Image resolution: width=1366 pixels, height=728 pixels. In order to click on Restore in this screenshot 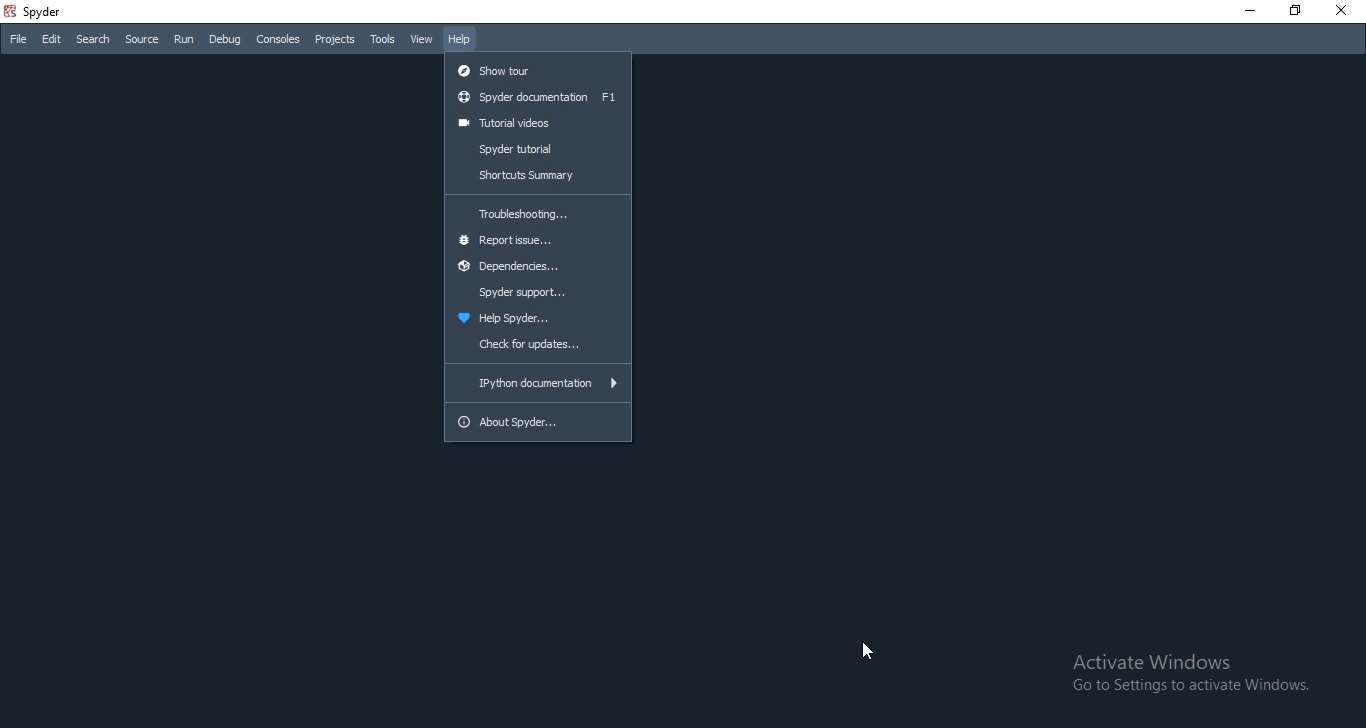, I will do `click(1298, 12)`.